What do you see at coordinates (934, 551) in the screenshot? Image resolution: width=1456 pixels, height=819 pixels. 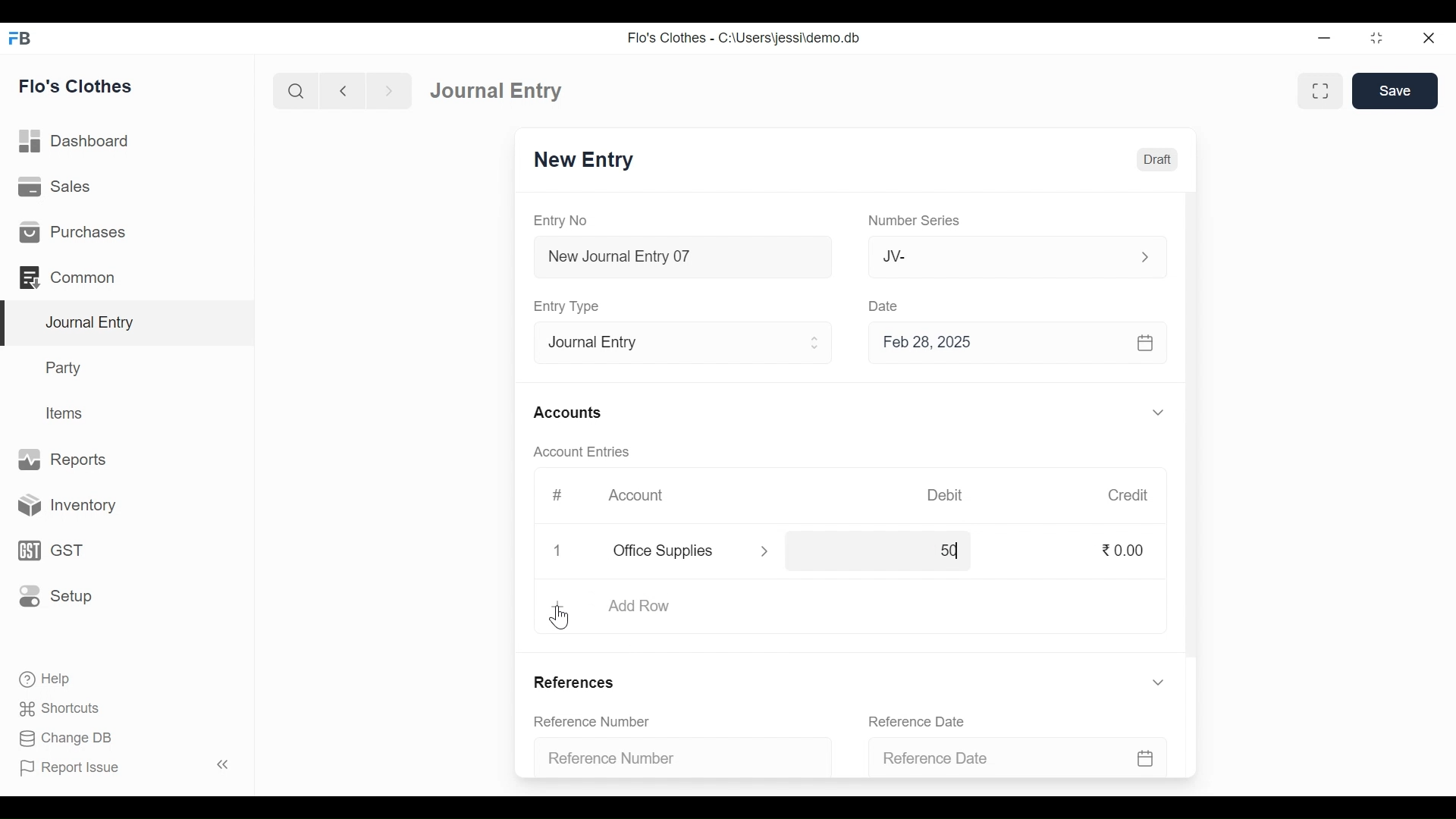 I see `50` at bounding box center [934, 551].